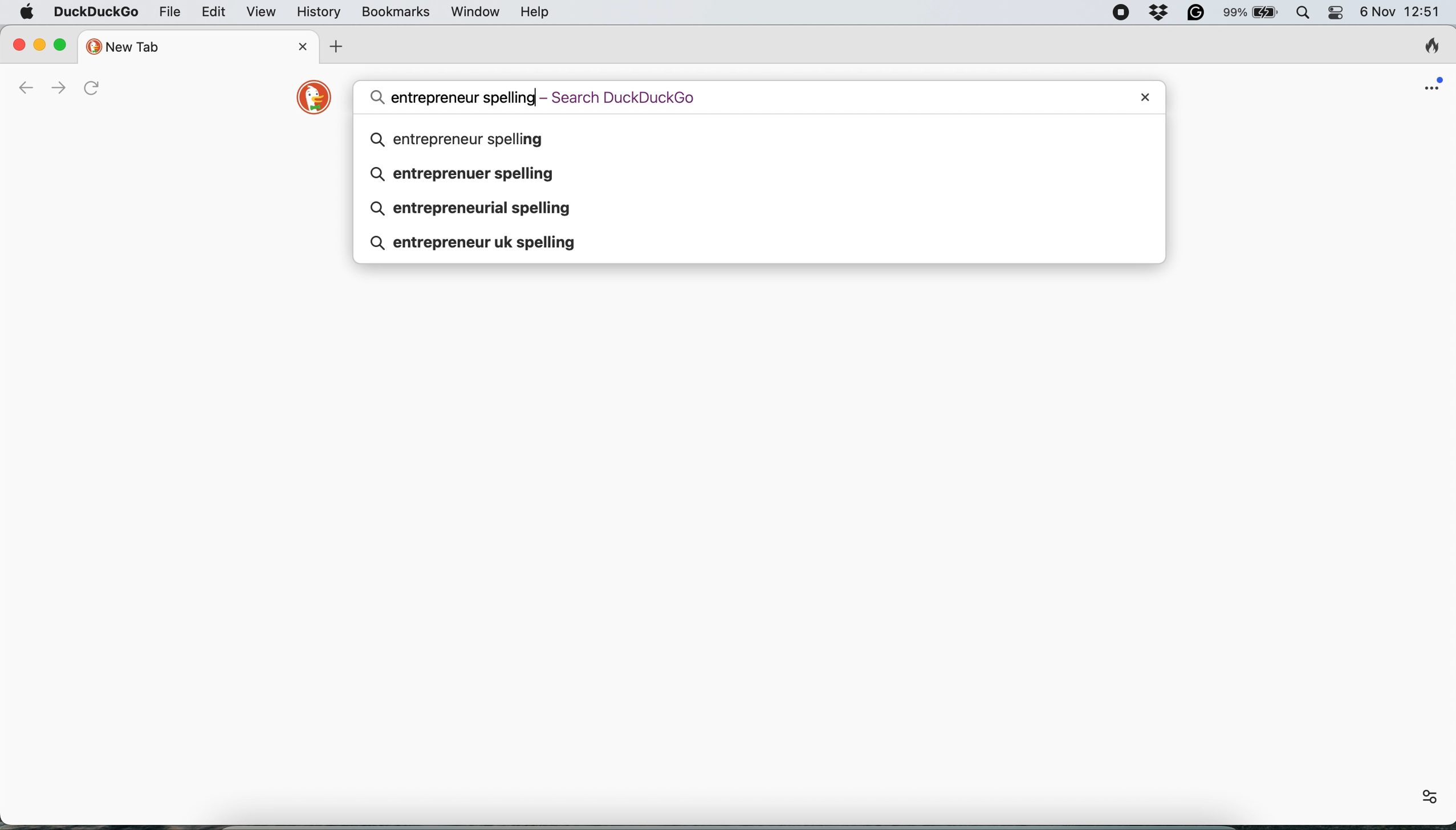  What do you see at coordinates (468, 209) in the screenshot?
I see `entrepreneurial spelling` at bounding box center [468, 209].